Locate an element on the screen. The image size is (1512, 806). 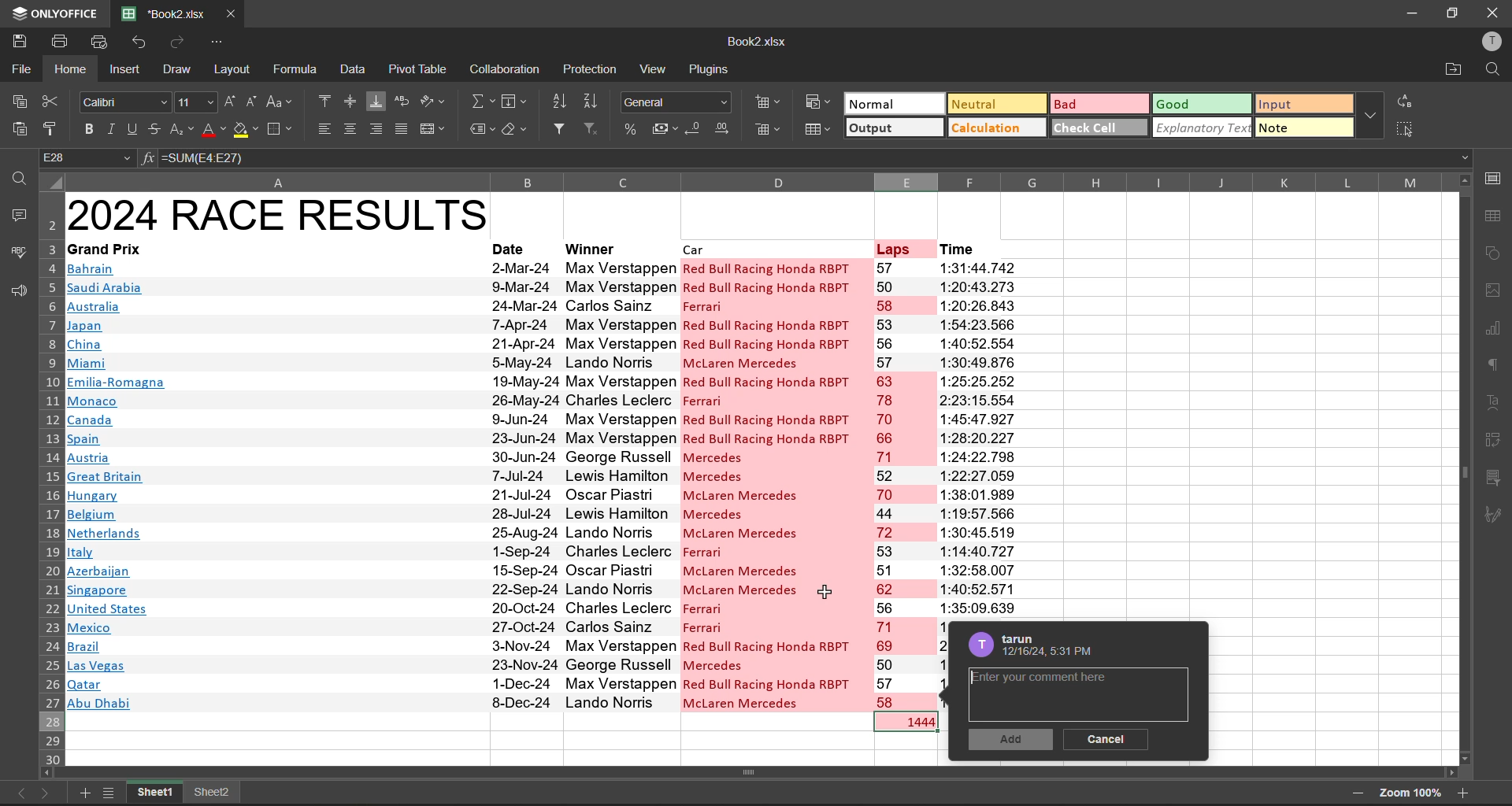
minimize is located at coordinates (1409, 14).